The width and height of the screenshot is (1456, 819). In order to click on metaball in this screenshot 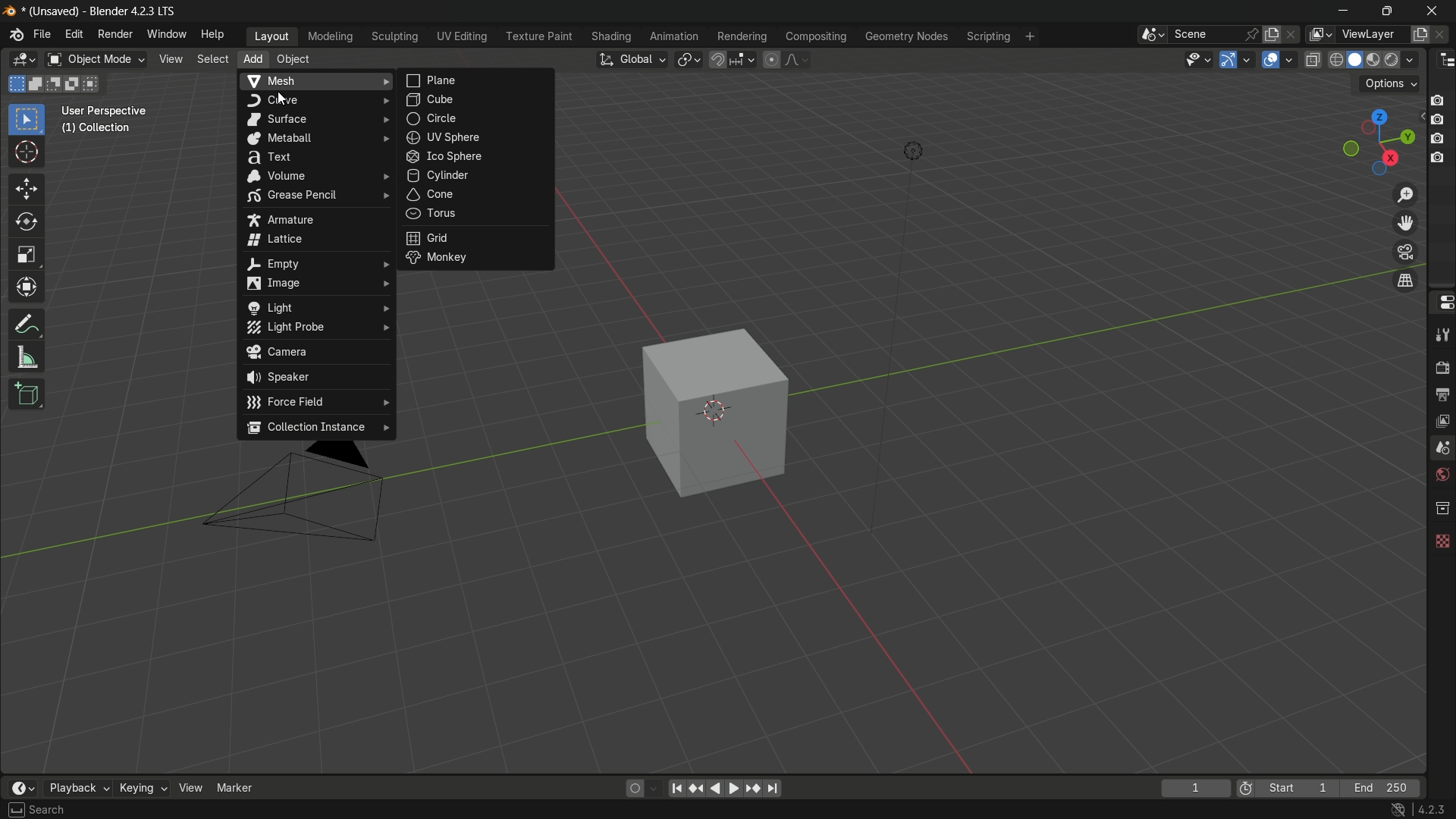, I will do `click(315, 138)`.